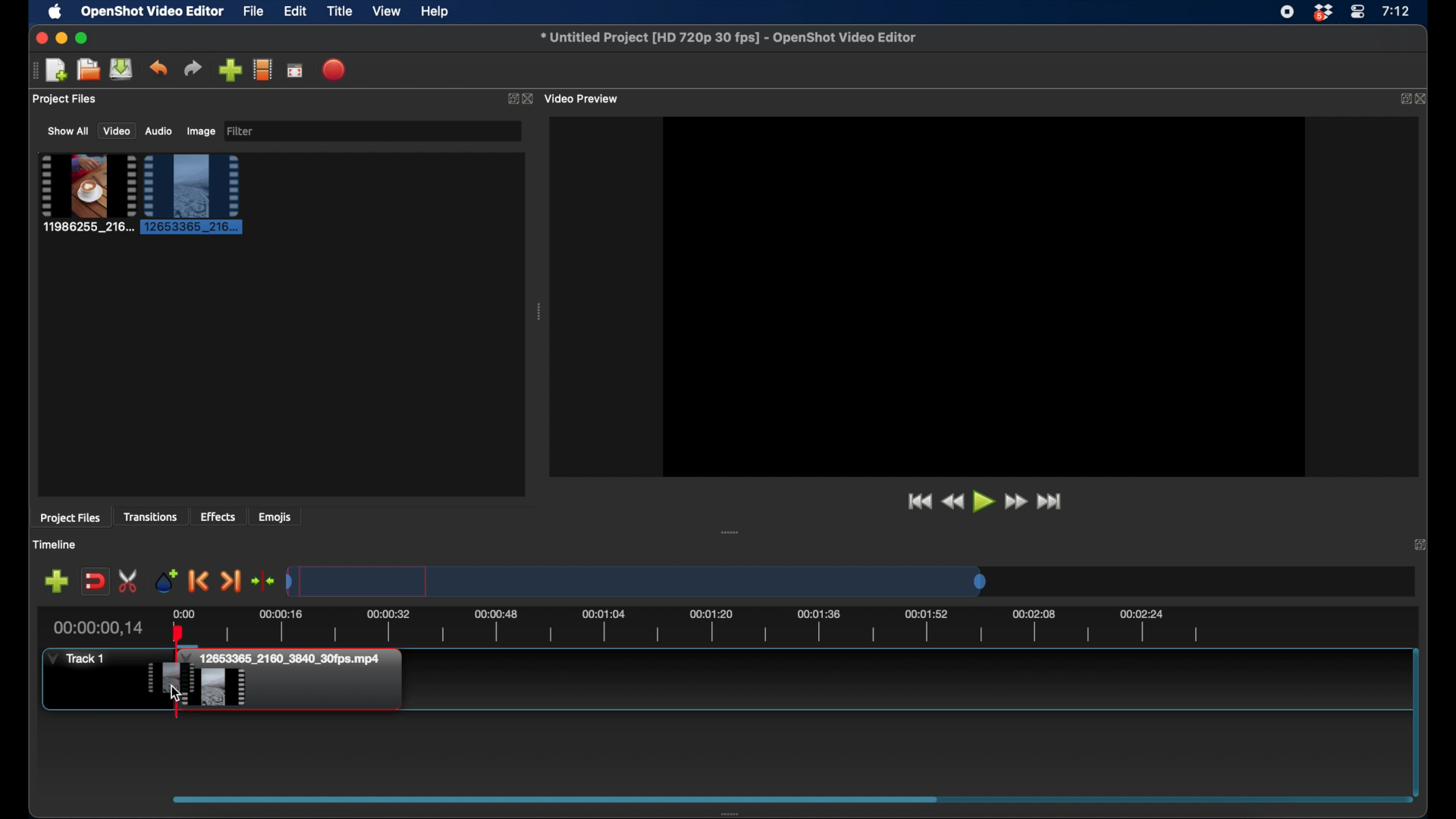  What do you see at coordinates (30, 71) in the screenshot?
I see `drag handle` at bounding box center [30, 71].